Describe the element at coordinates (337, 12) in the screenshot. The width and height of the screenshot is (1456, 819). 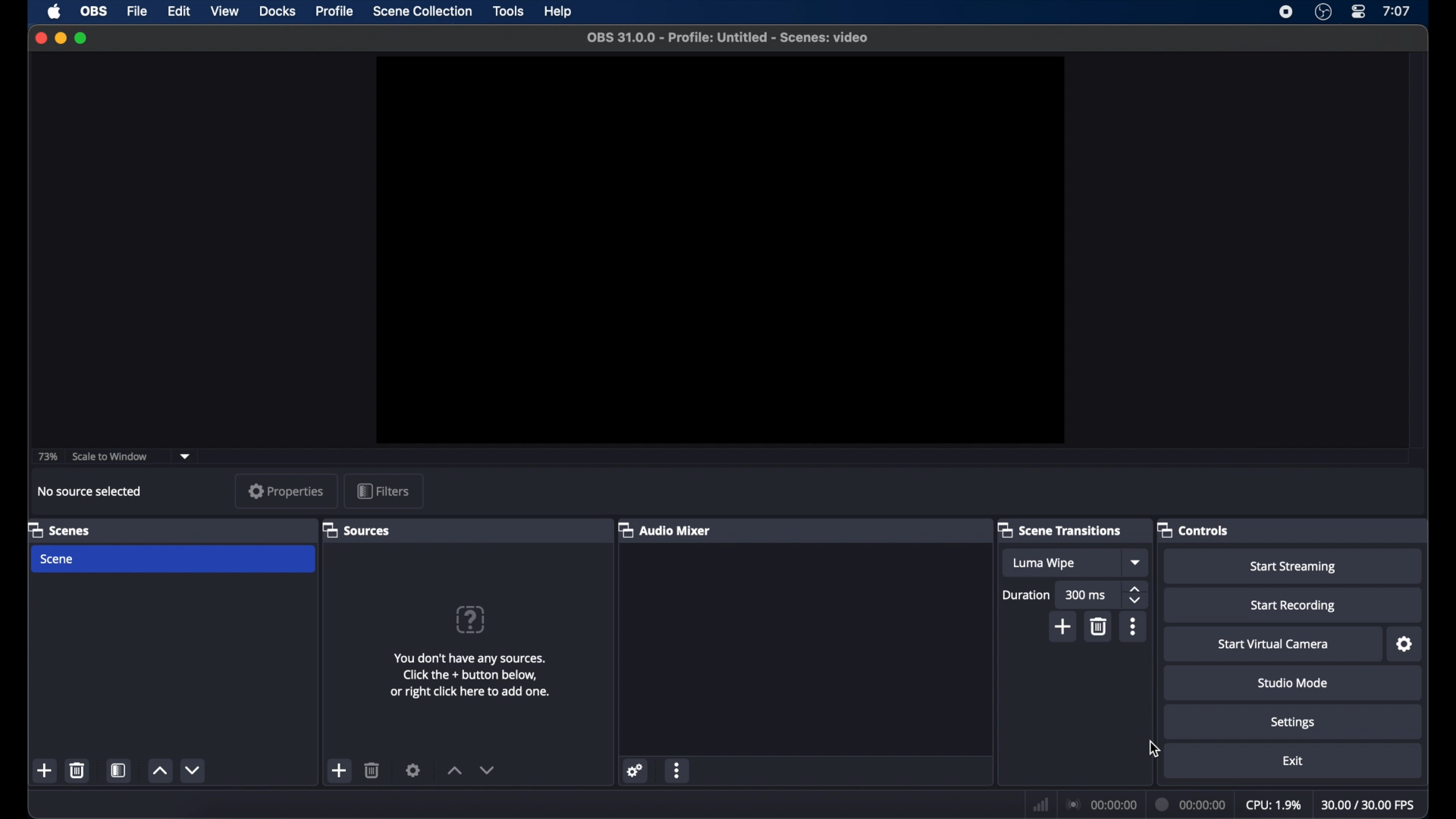
I see `profile` at that location.